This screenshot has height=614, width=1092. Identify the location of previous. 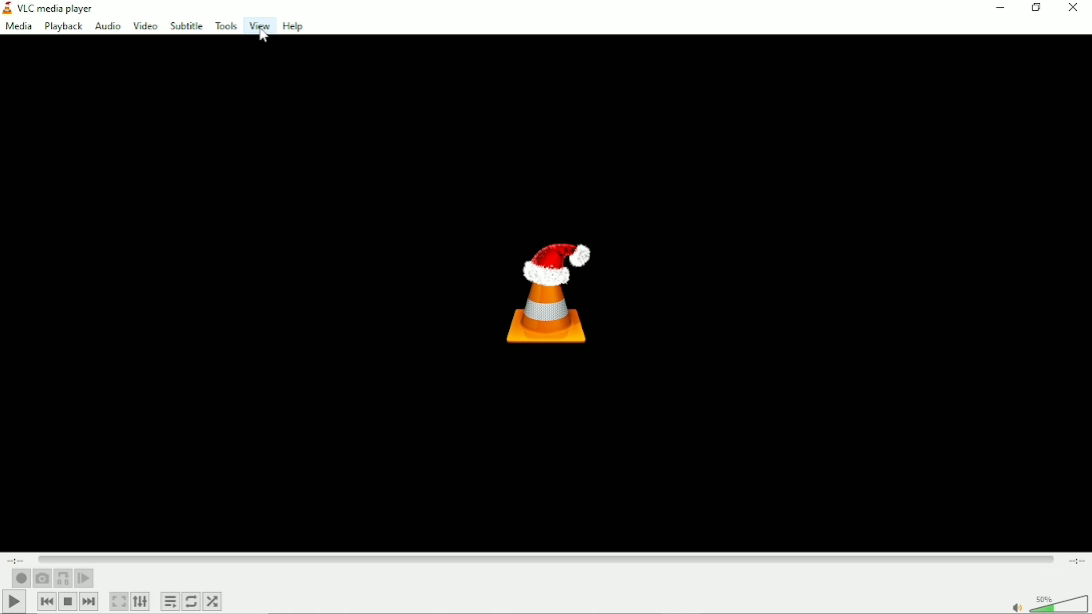
(46, 601).